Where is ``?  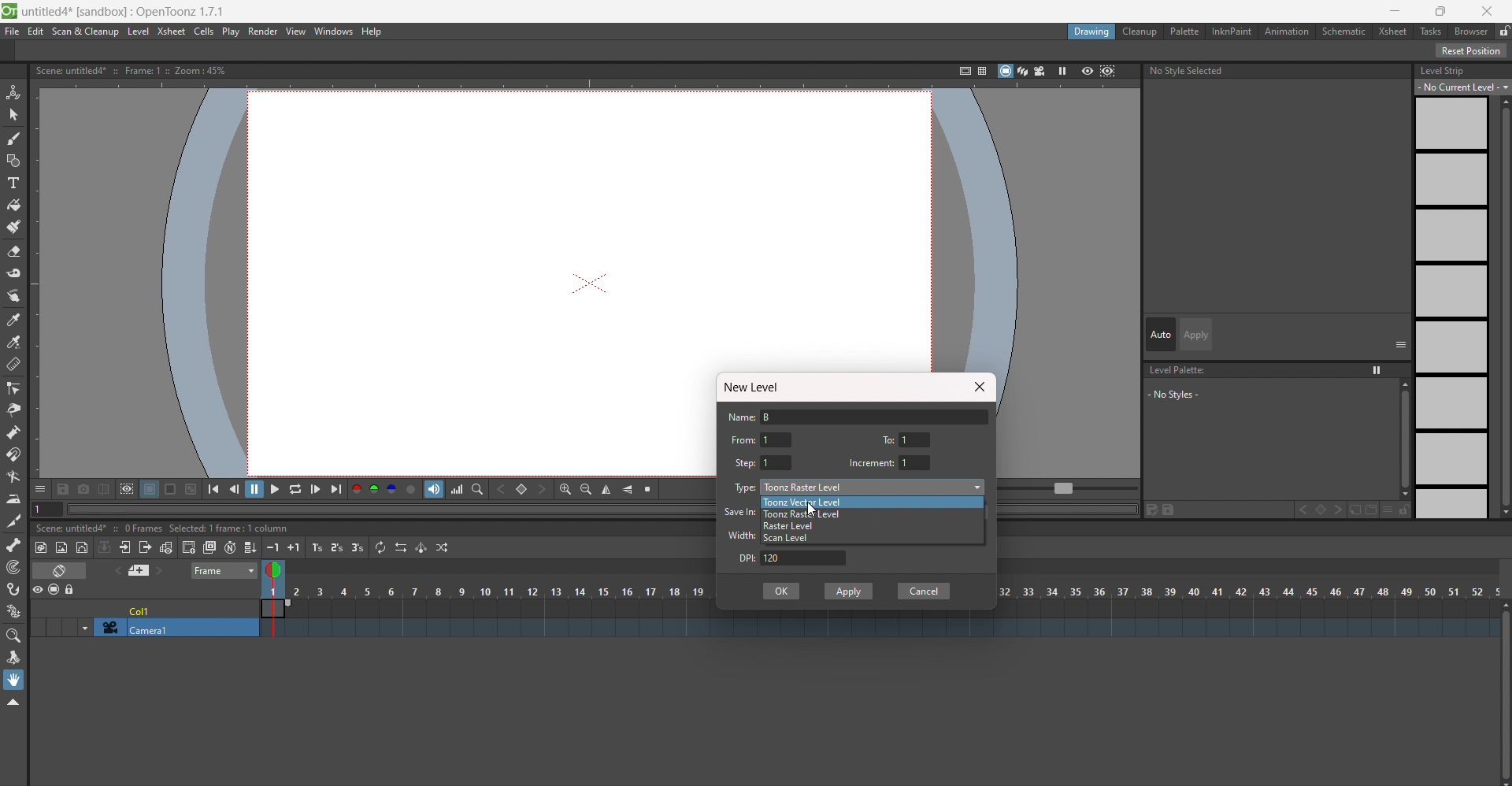  is located at coordinates (648, 490).